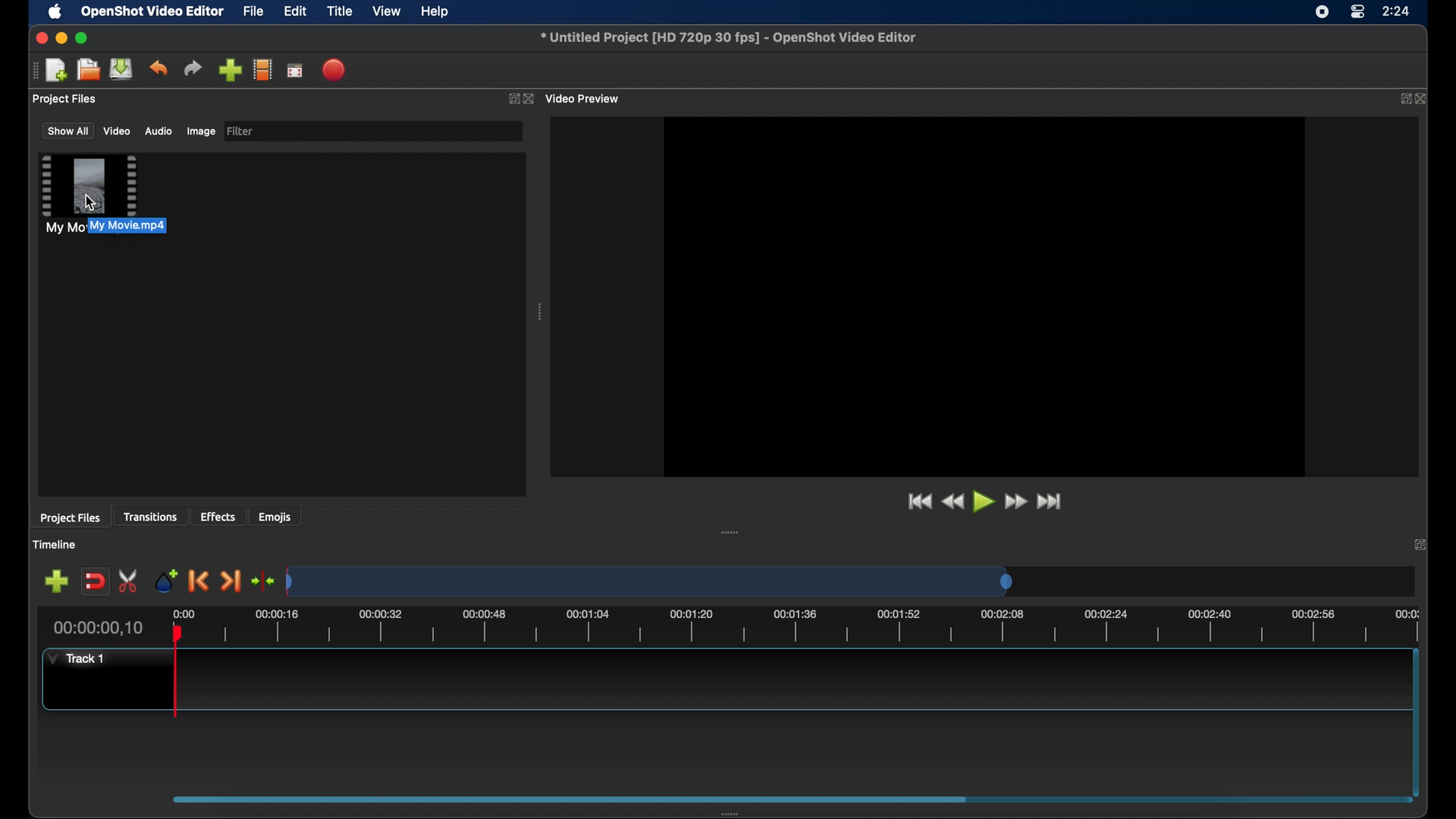 The image size is (1456, 819). I want to click on export video, so click(334, 69).